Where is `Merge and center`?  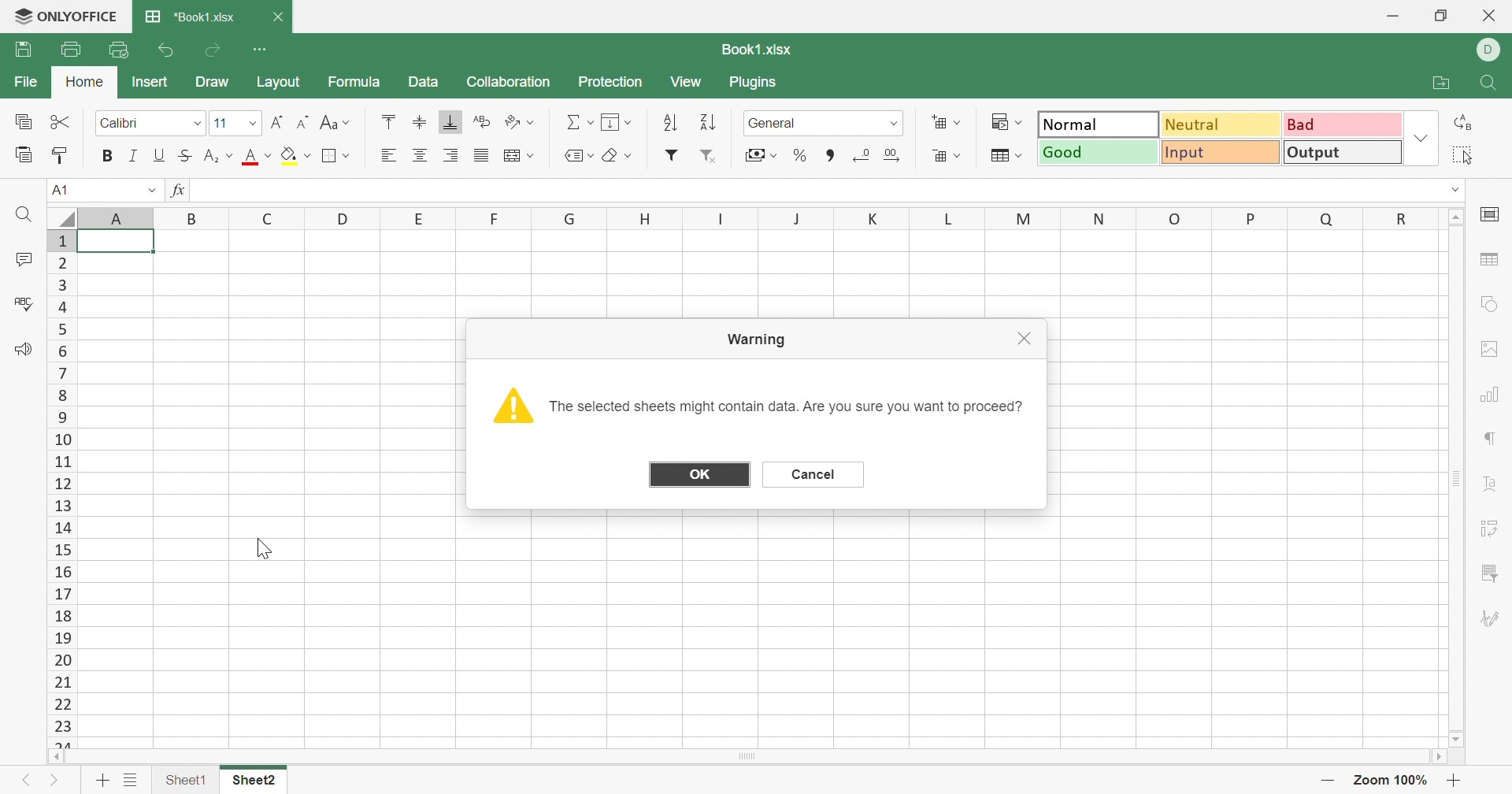
Merge and center is located at coordinates (514, 155).